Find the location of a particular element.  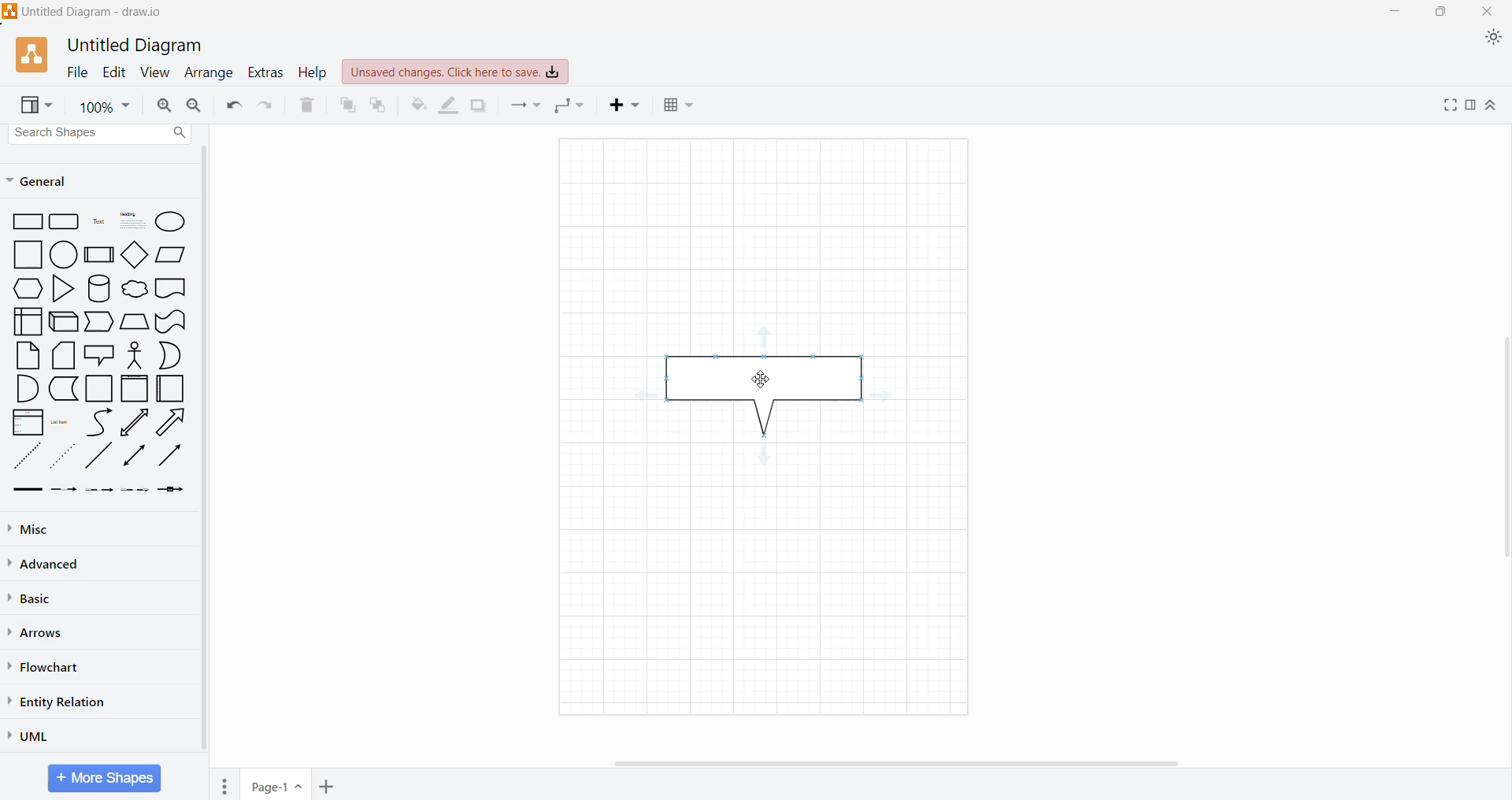

preparation is located at coordinates (24, 289).